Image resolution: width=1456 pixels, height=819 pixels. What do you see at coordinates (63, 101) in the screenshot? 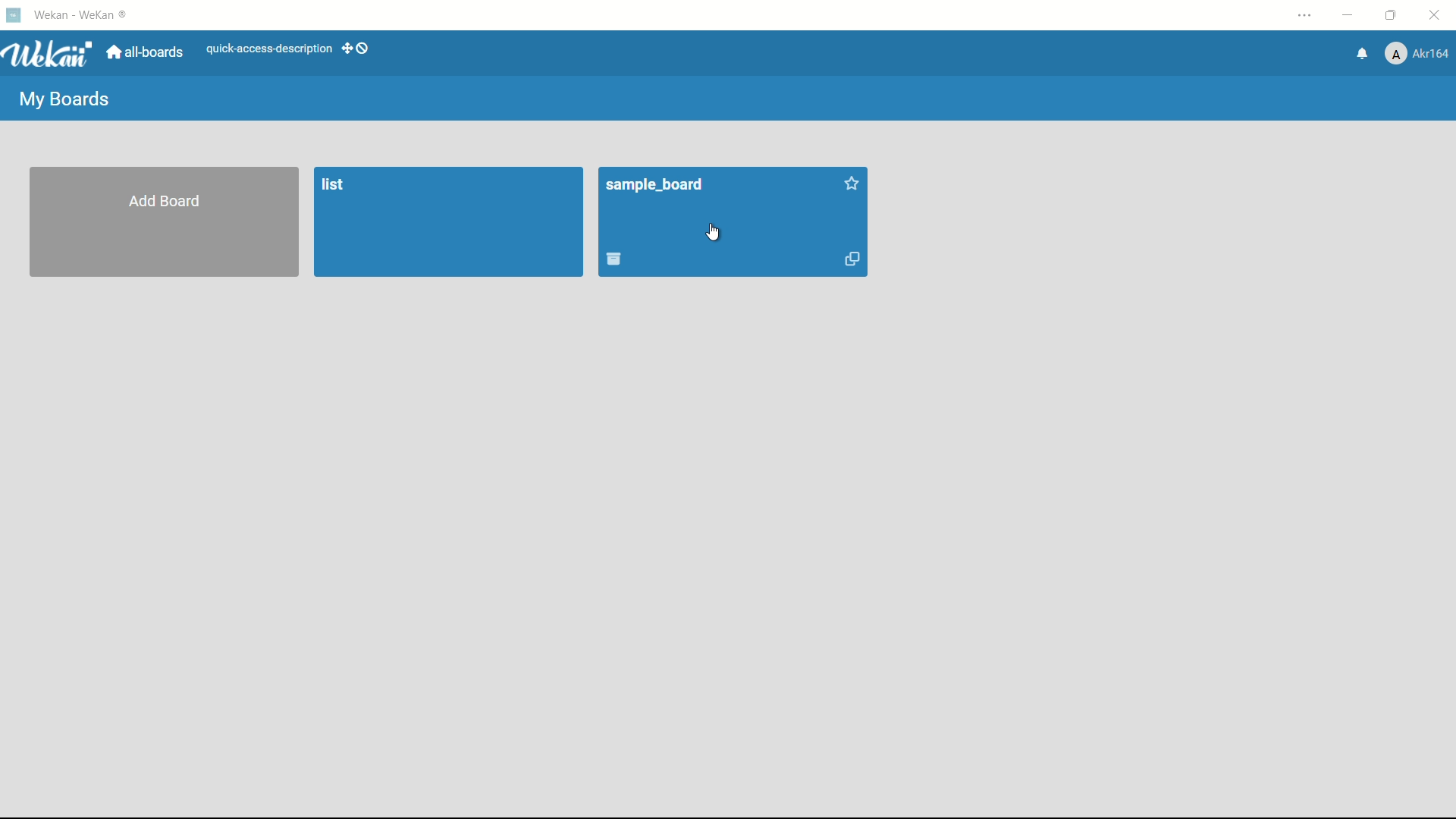
I see `my boards` at bounding box center [63, 101].